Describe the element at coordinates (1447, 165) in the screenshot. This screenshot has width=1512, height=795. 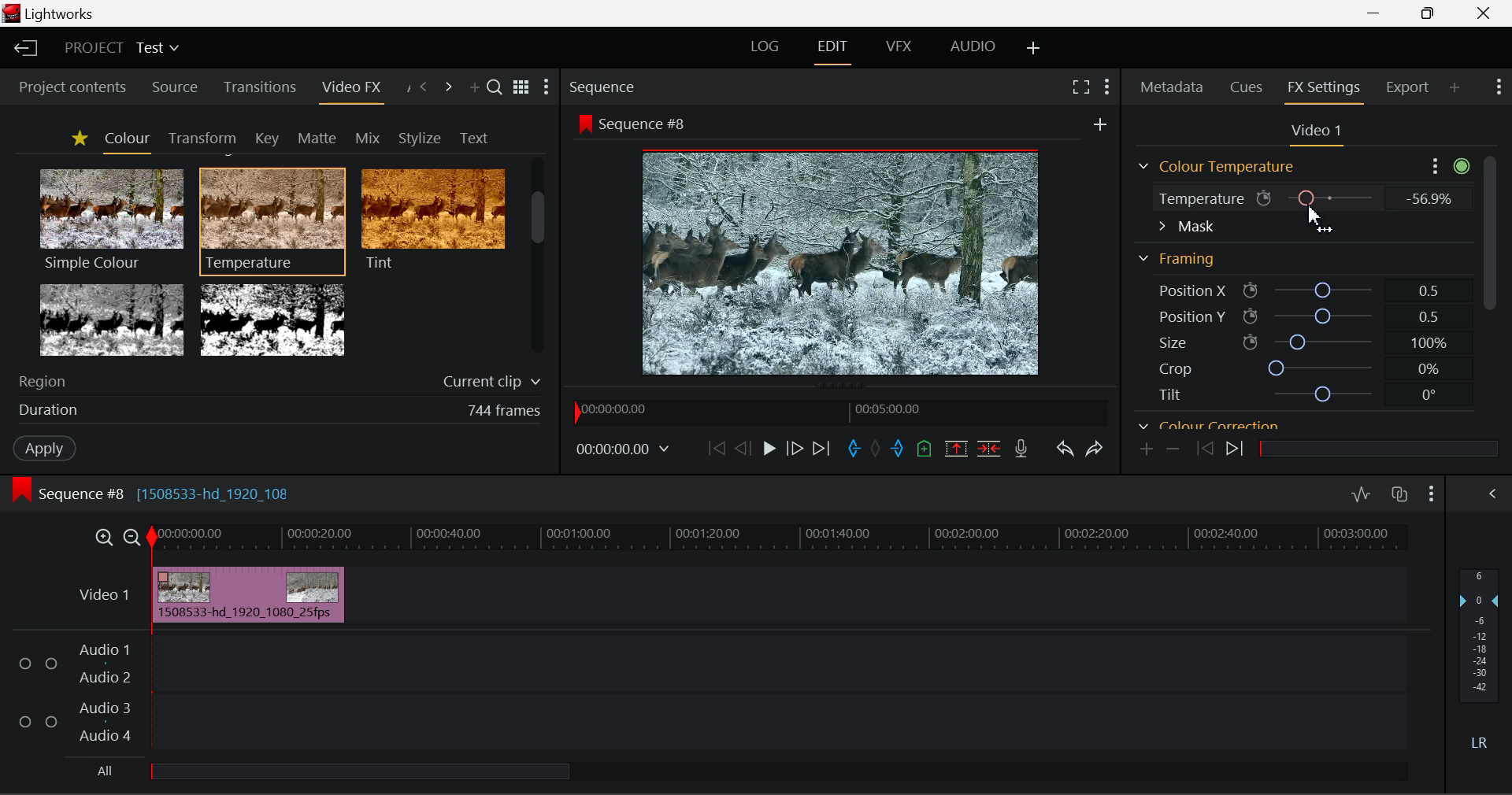
I see `Show Settings` at that location.